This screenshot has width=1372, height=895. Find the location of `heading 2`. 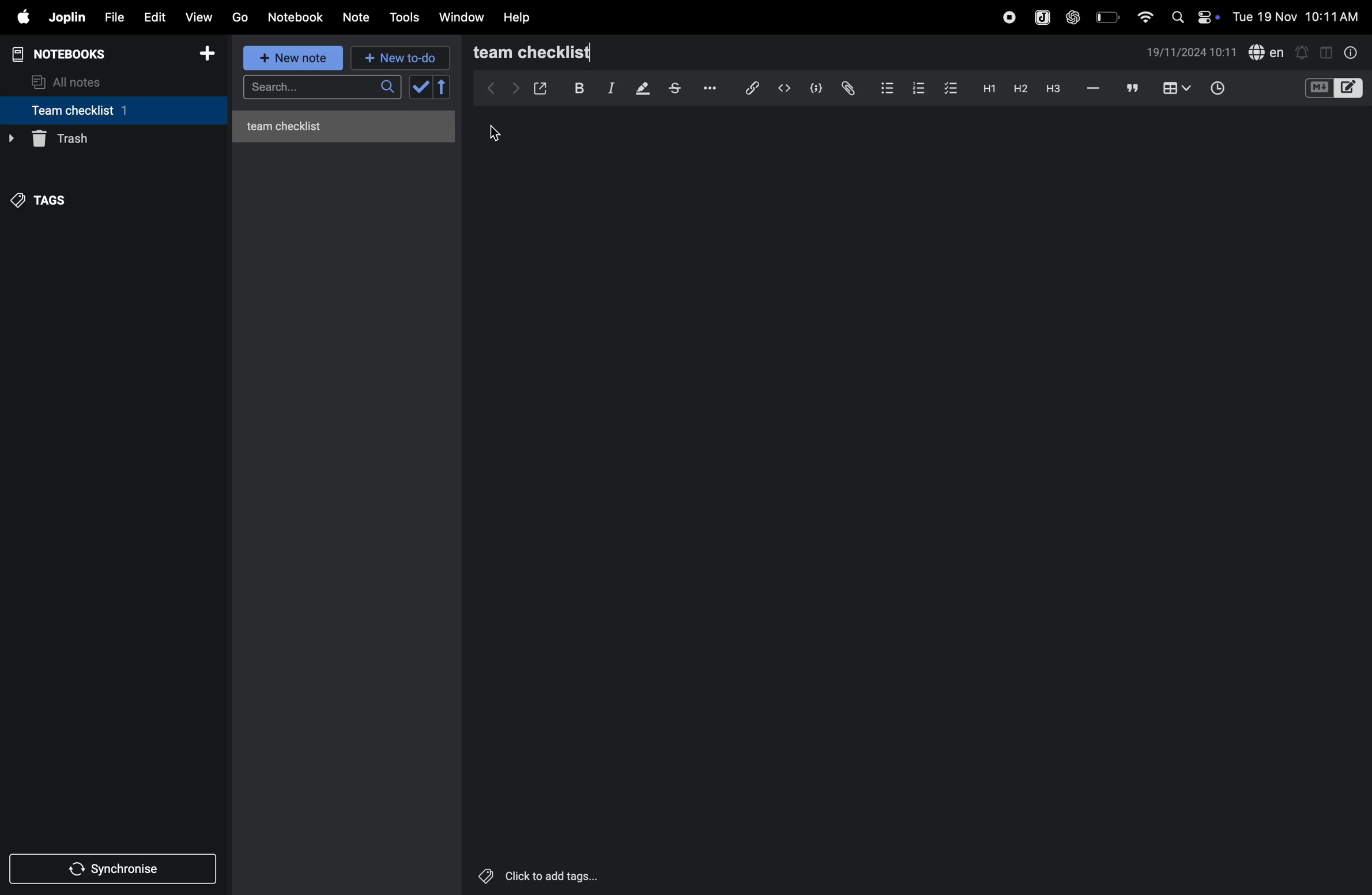

heading 2 is located at coordinates (986, 88).